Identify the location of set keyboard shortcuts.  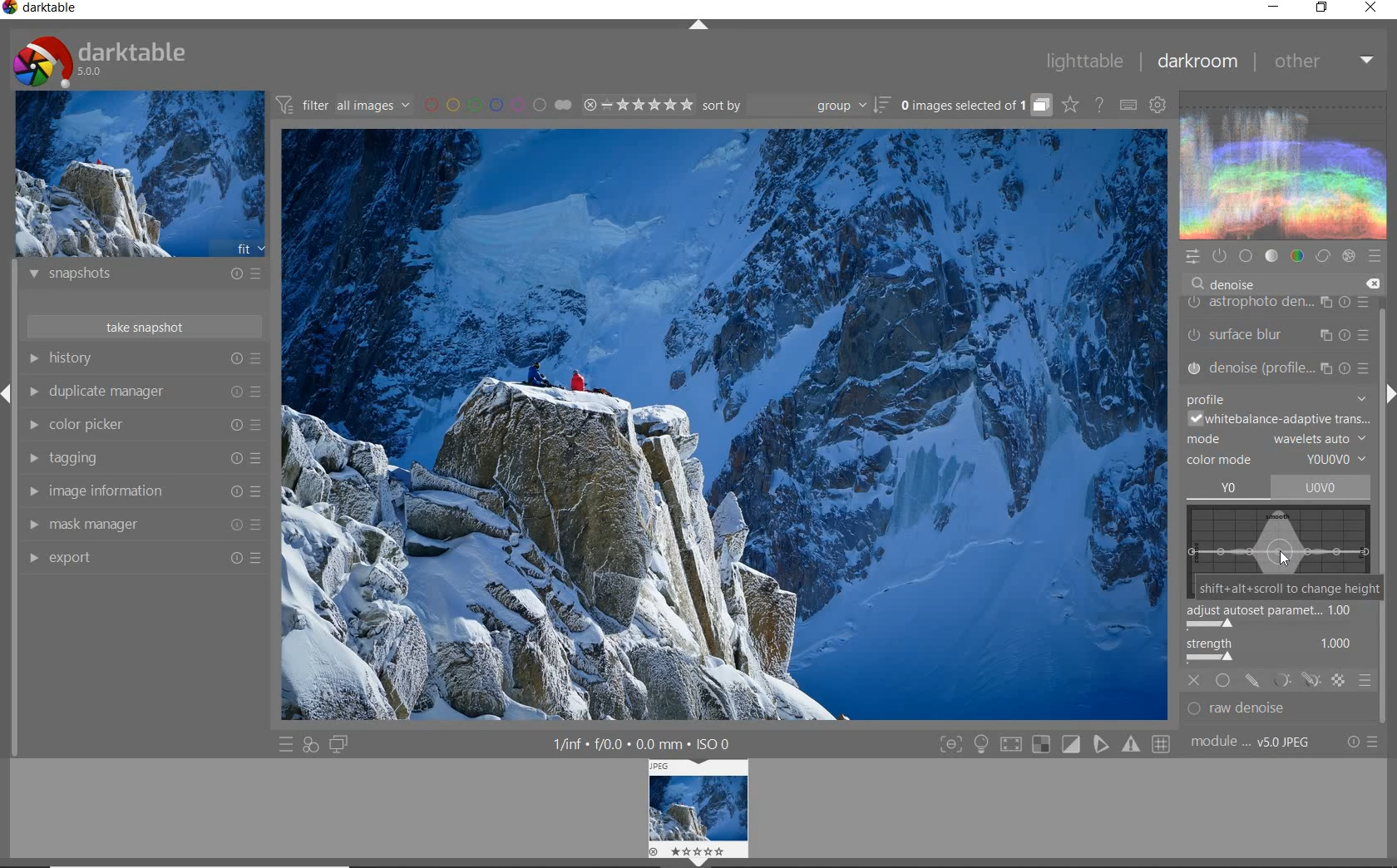
(1128, 105).